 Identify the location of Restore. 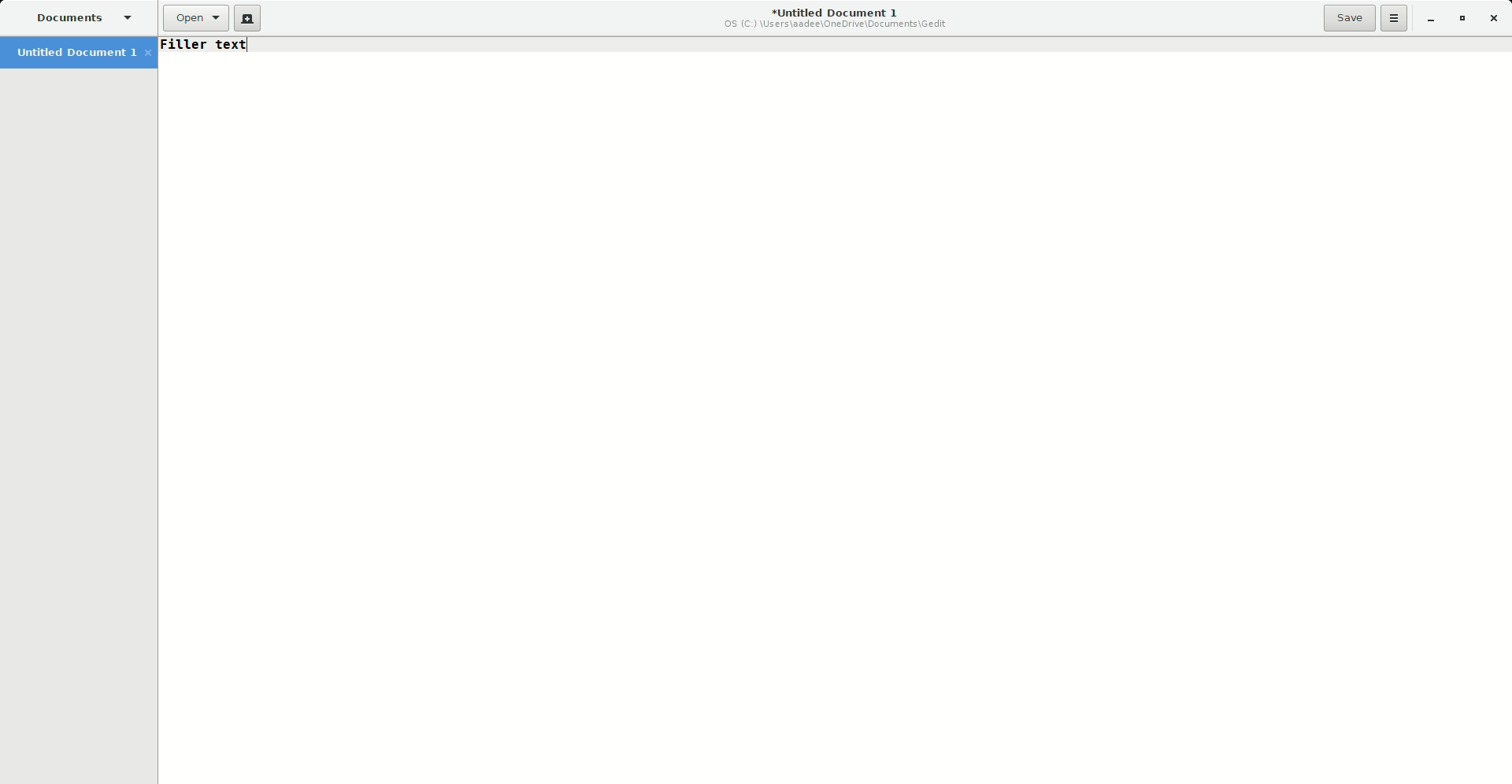
(1460, 20).